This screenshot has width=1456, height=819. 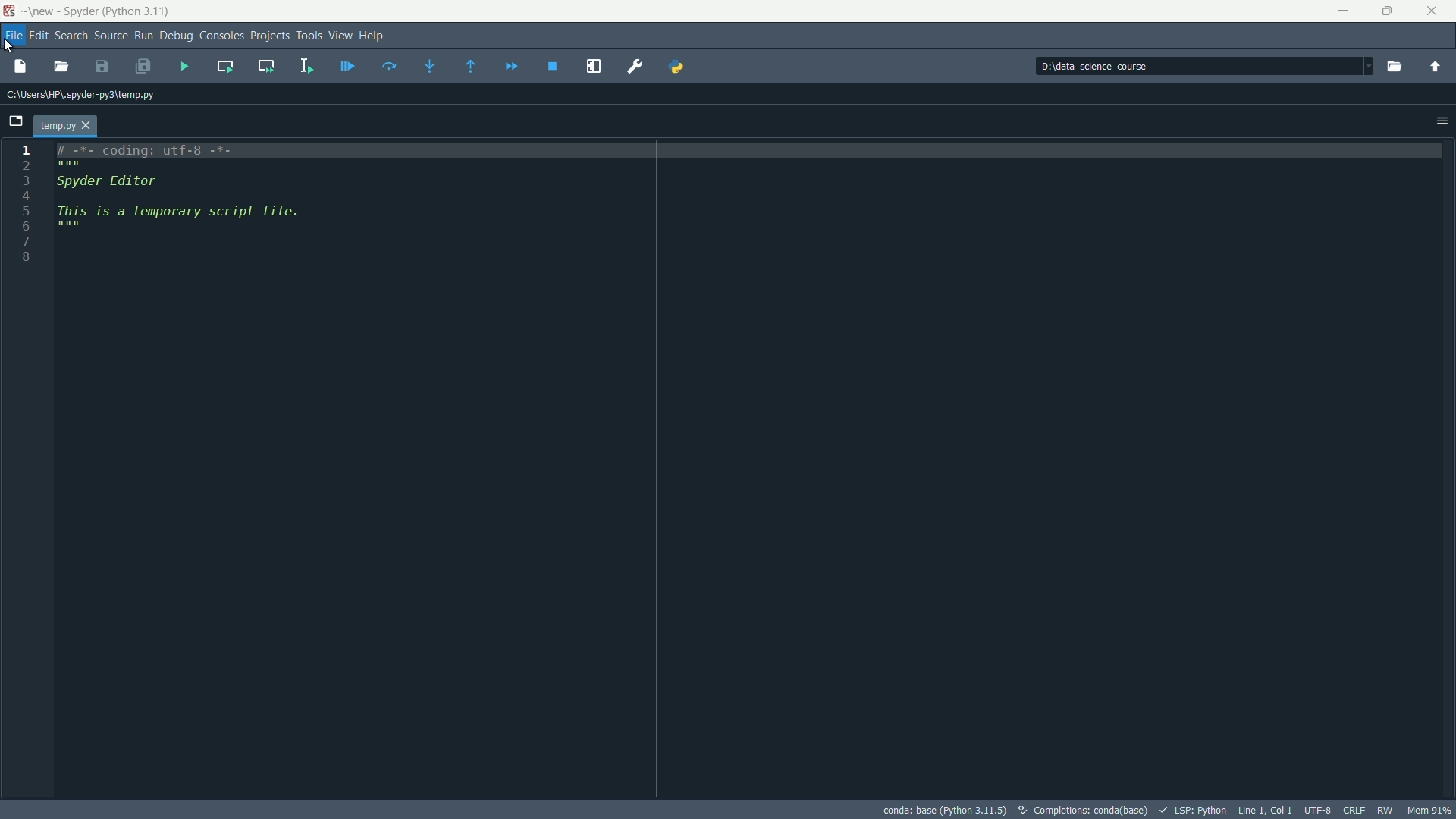 I want to click on continue execution until next breakpoint, so click(x=513, y=67).